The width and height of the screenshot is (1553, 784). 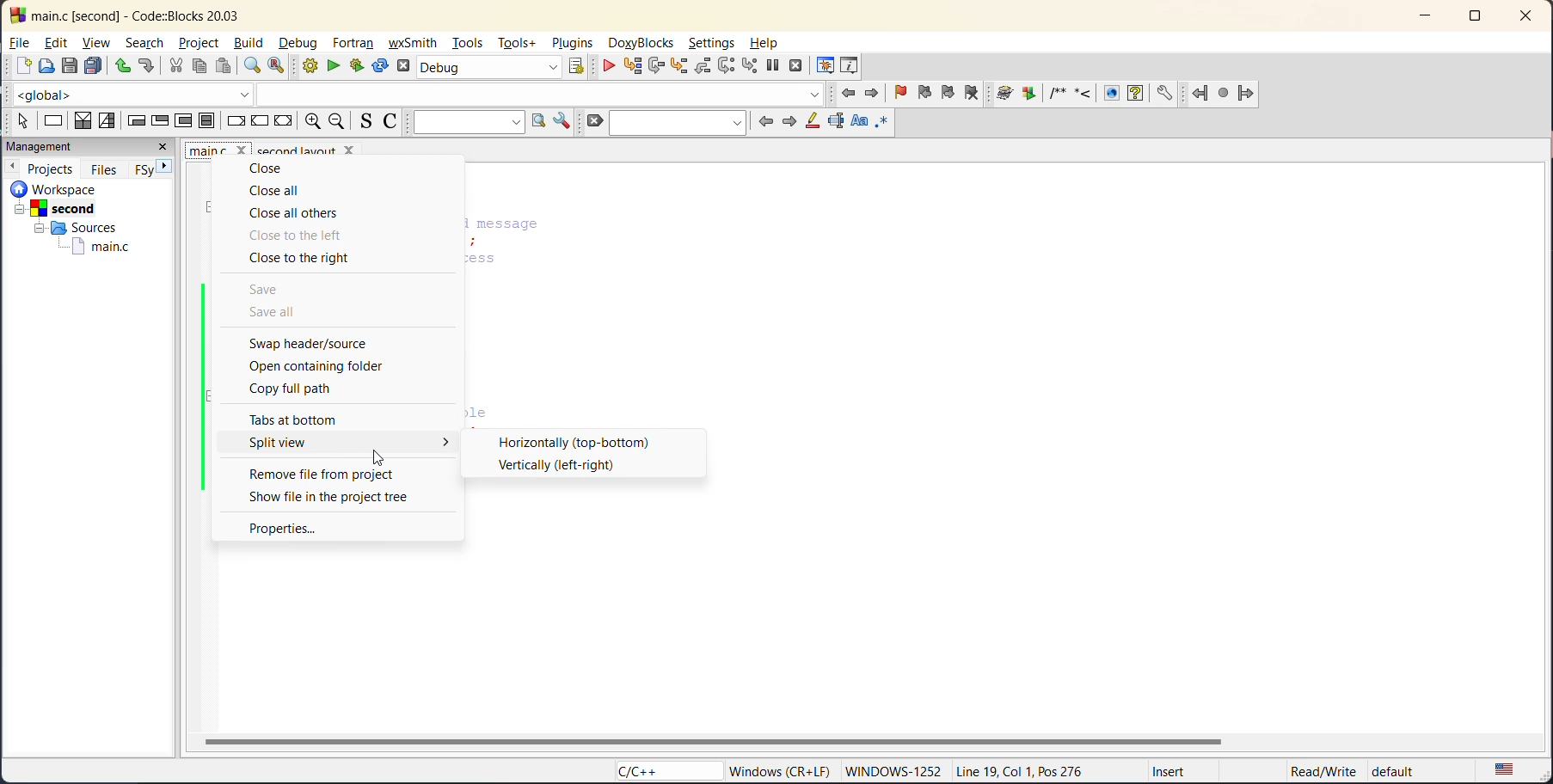 What do you see at coordinates (924, 95) in the screenshot?
I see `previous bookmark` at bounding box center [924, 95].